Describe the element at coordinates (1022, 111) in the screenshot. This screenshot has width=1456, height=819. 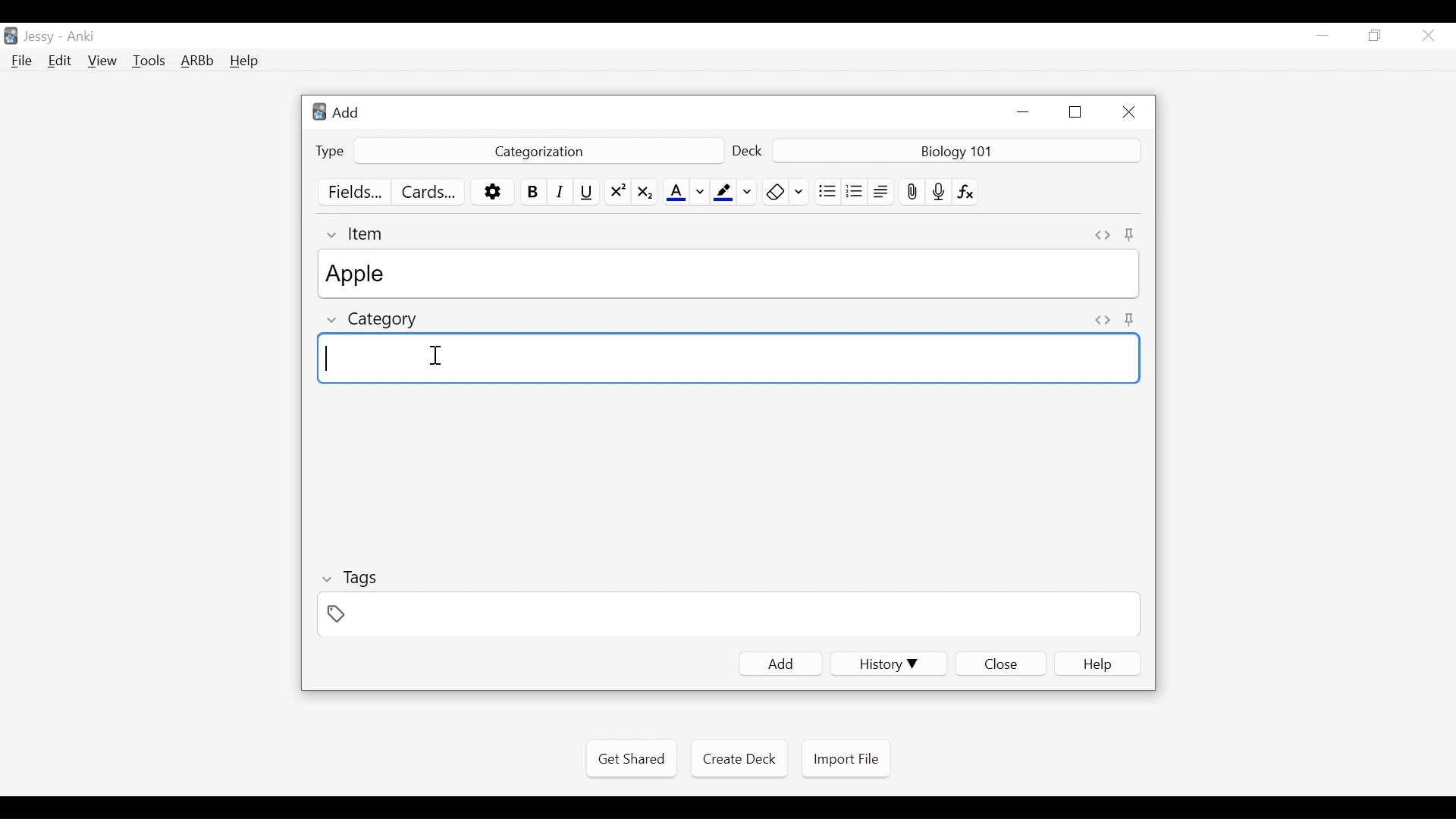
I see `minimize` at that location.